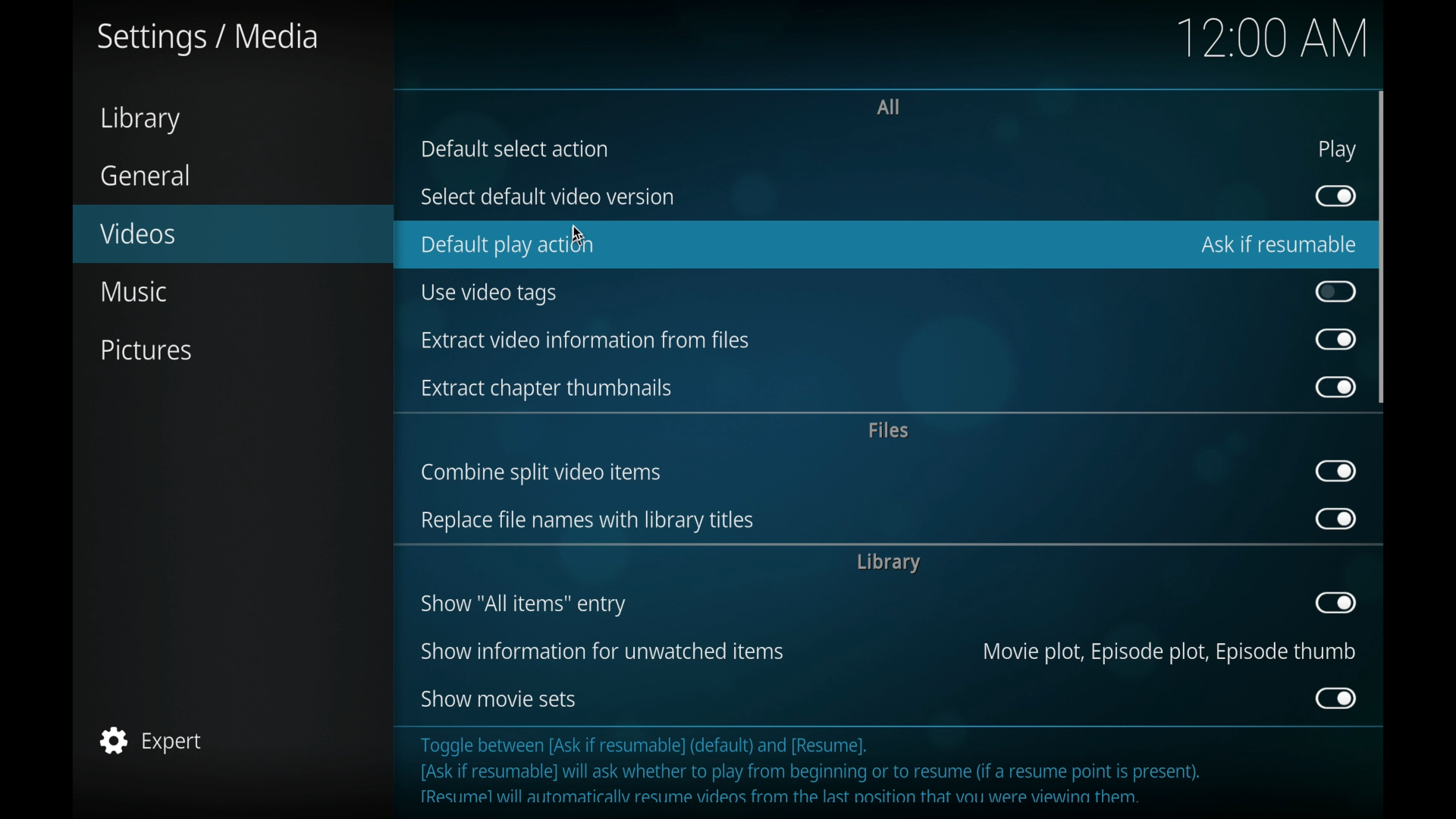 The height and width of the screenshot is (819, 1456). Describe the element at coordinates (602, 651) in the screenshot. I see `show information for unwatched items` at that location.